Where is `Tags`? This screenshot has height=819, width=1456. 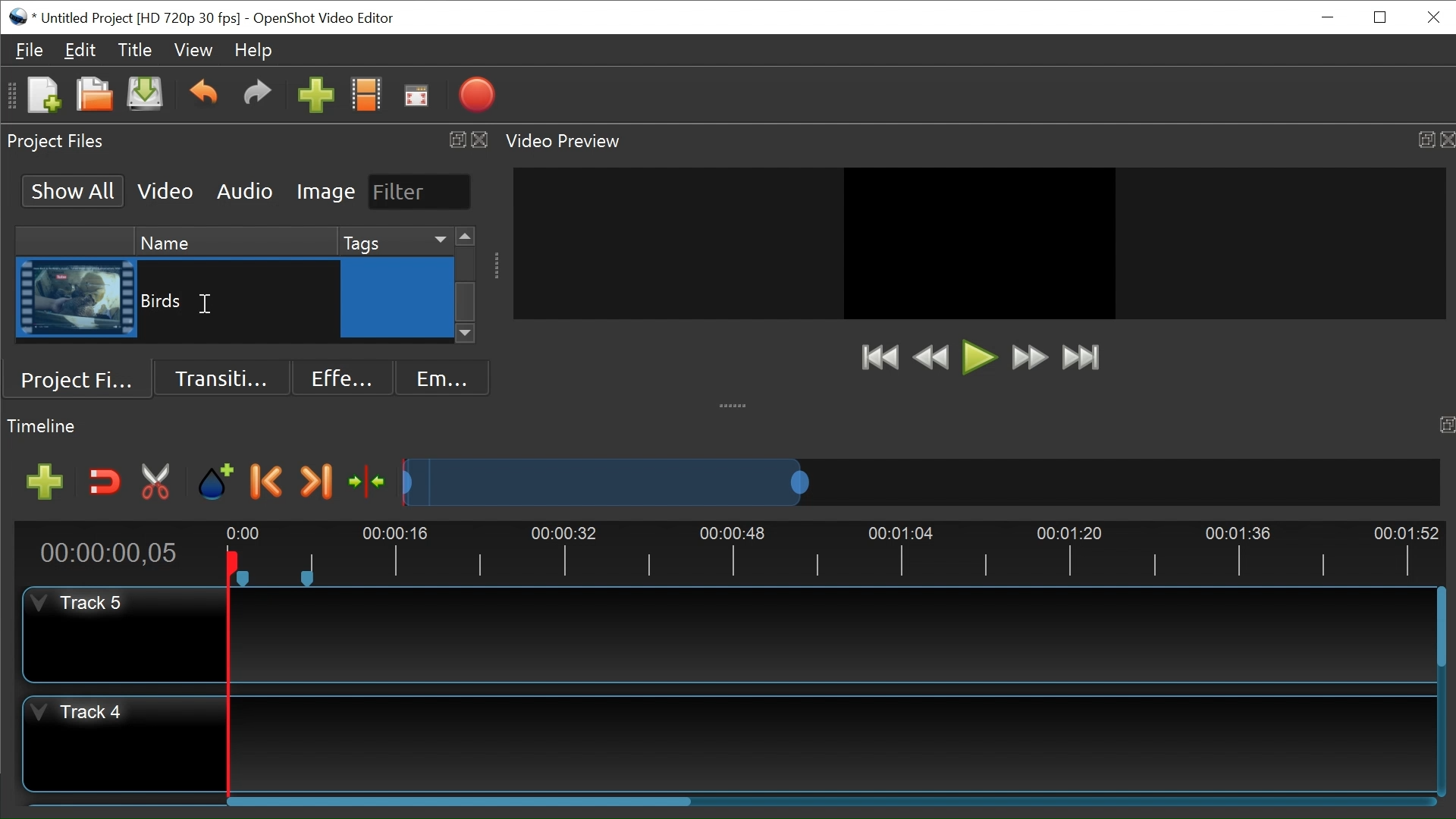
Tags is located at coordinates (393, 240).